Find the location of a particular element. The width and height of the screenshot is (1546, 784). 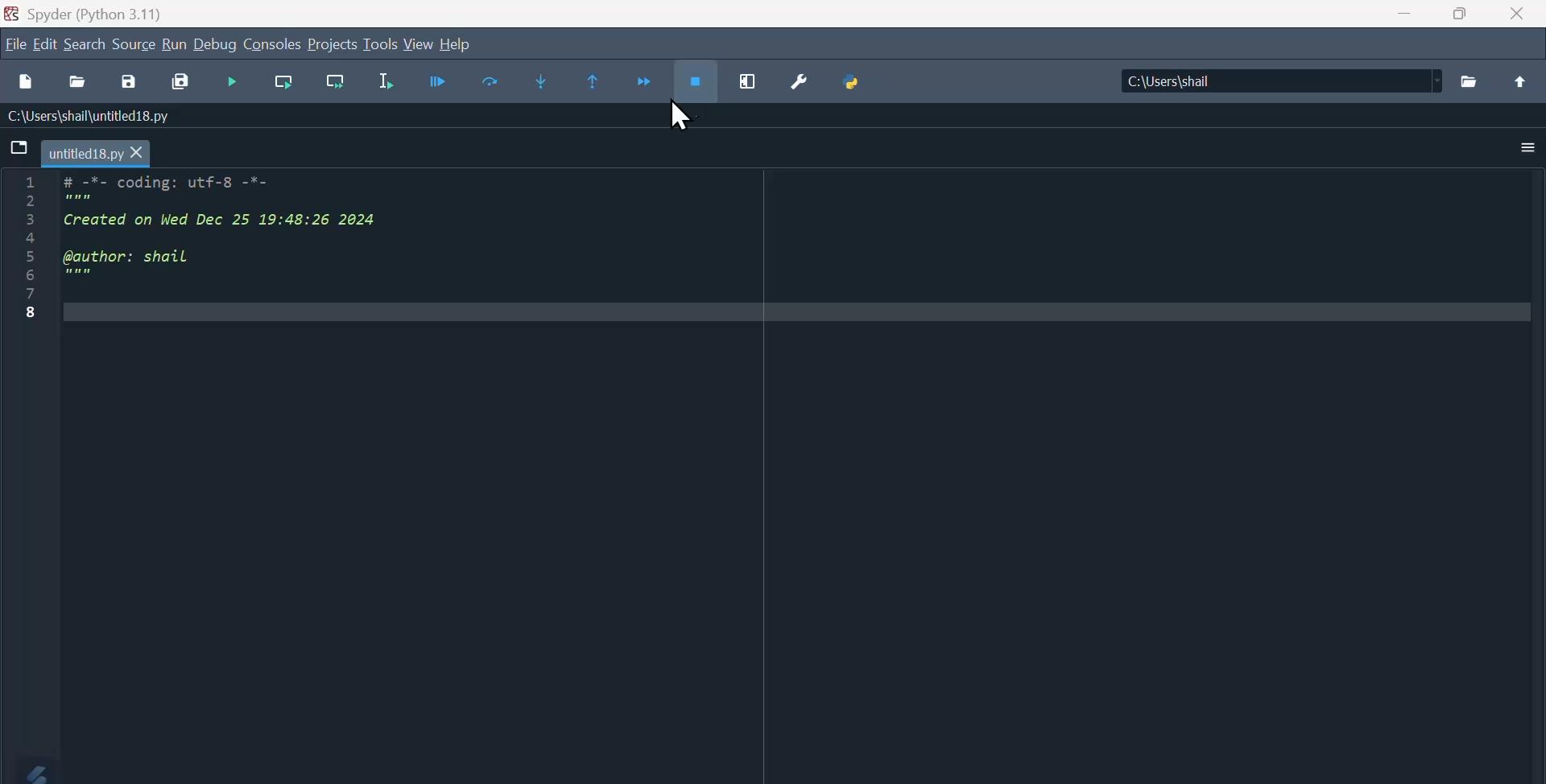

Maximise current window is located at coordinates (752, 84).